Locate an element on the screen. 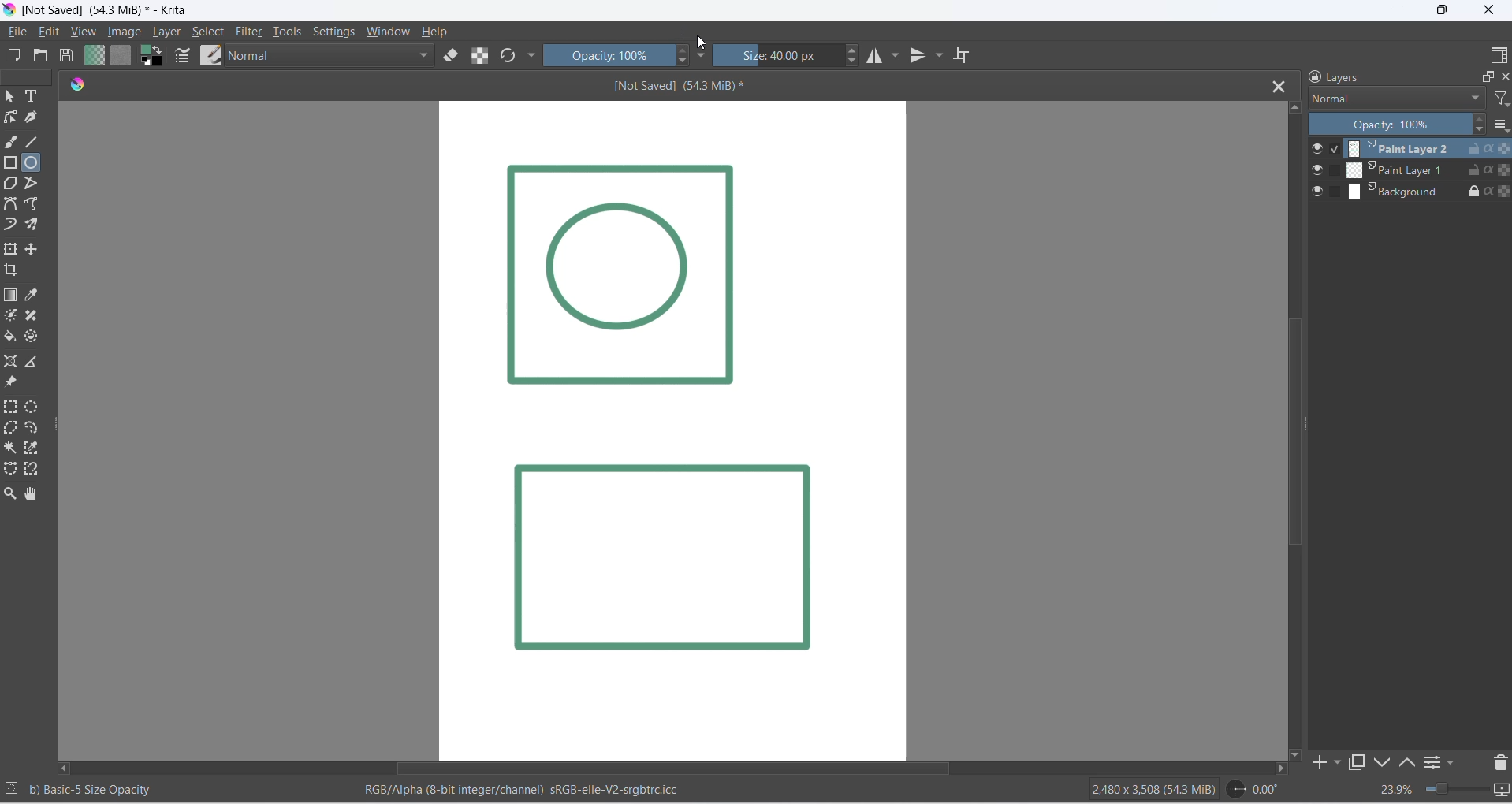  select is located at coordinates (212, 33).